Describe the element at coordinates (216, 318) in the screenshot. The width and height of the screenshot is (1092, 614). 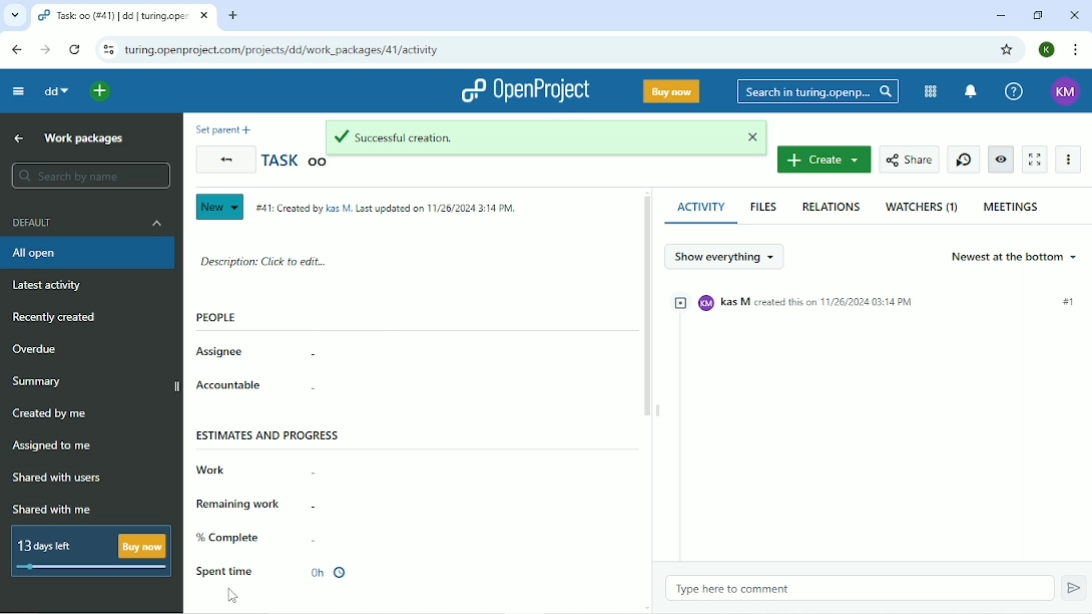
I see `people` at that location.